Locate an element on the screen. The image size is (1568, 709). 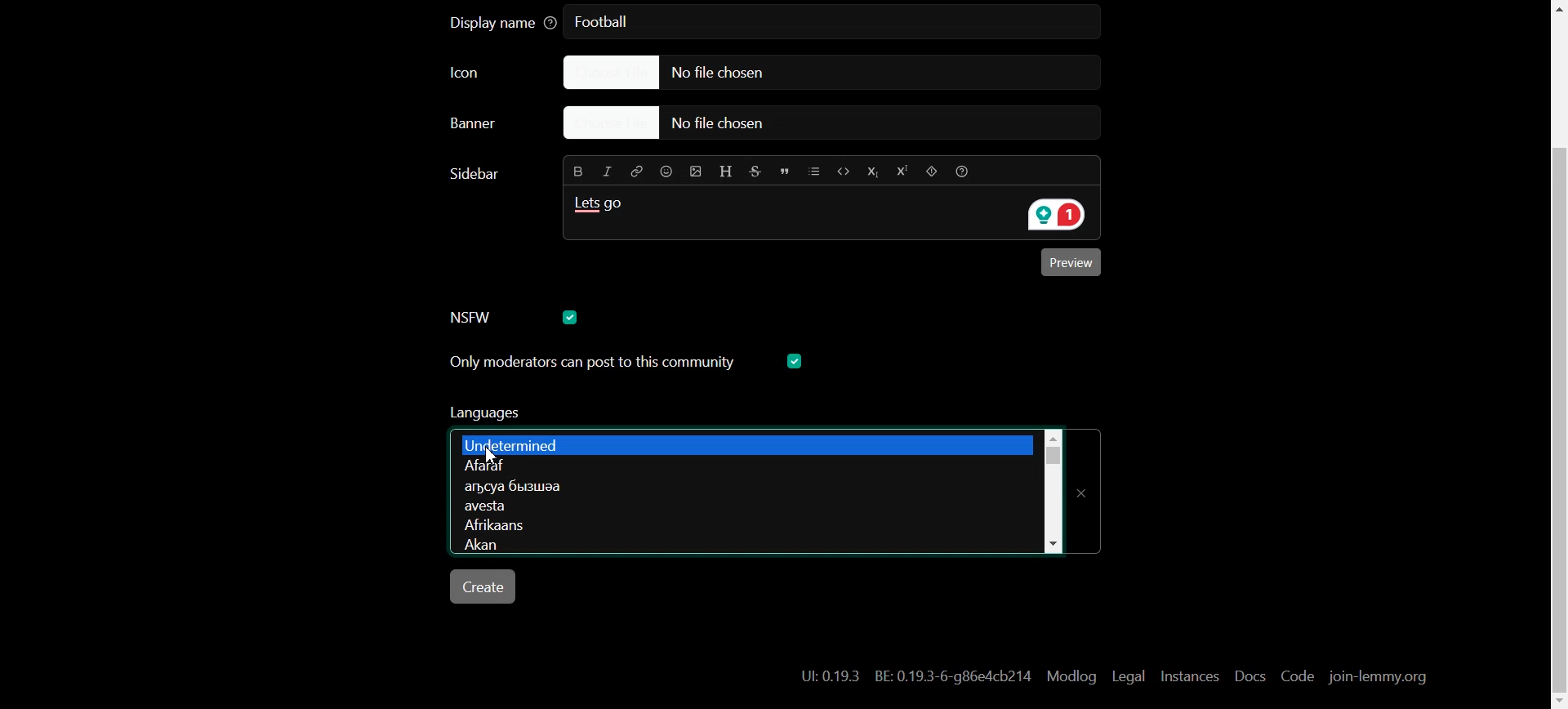
Text is located at coordinates (916, 676).